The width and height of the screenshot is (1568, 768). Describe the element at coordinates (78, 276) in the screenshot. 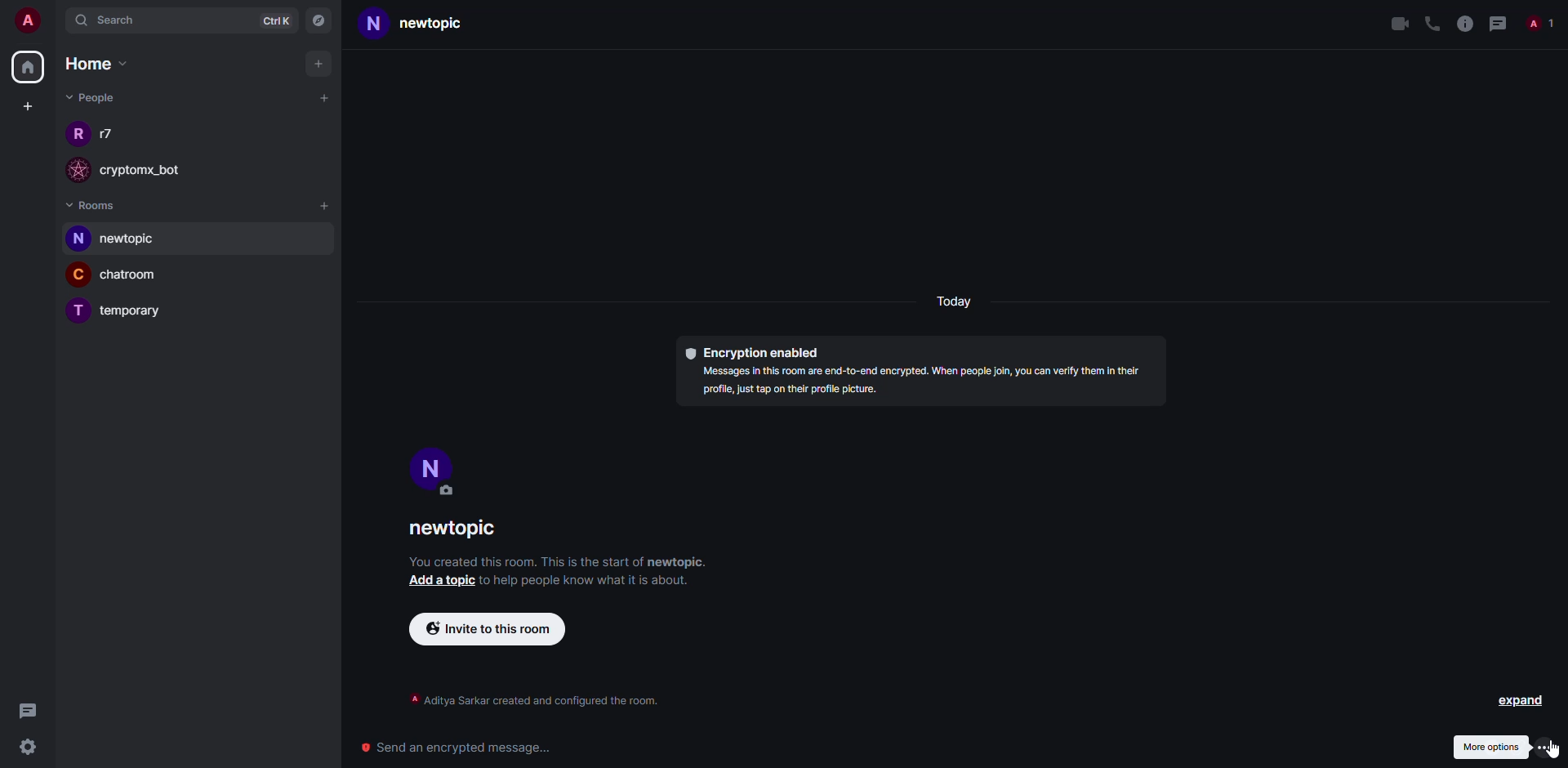

I see `C` at that location.